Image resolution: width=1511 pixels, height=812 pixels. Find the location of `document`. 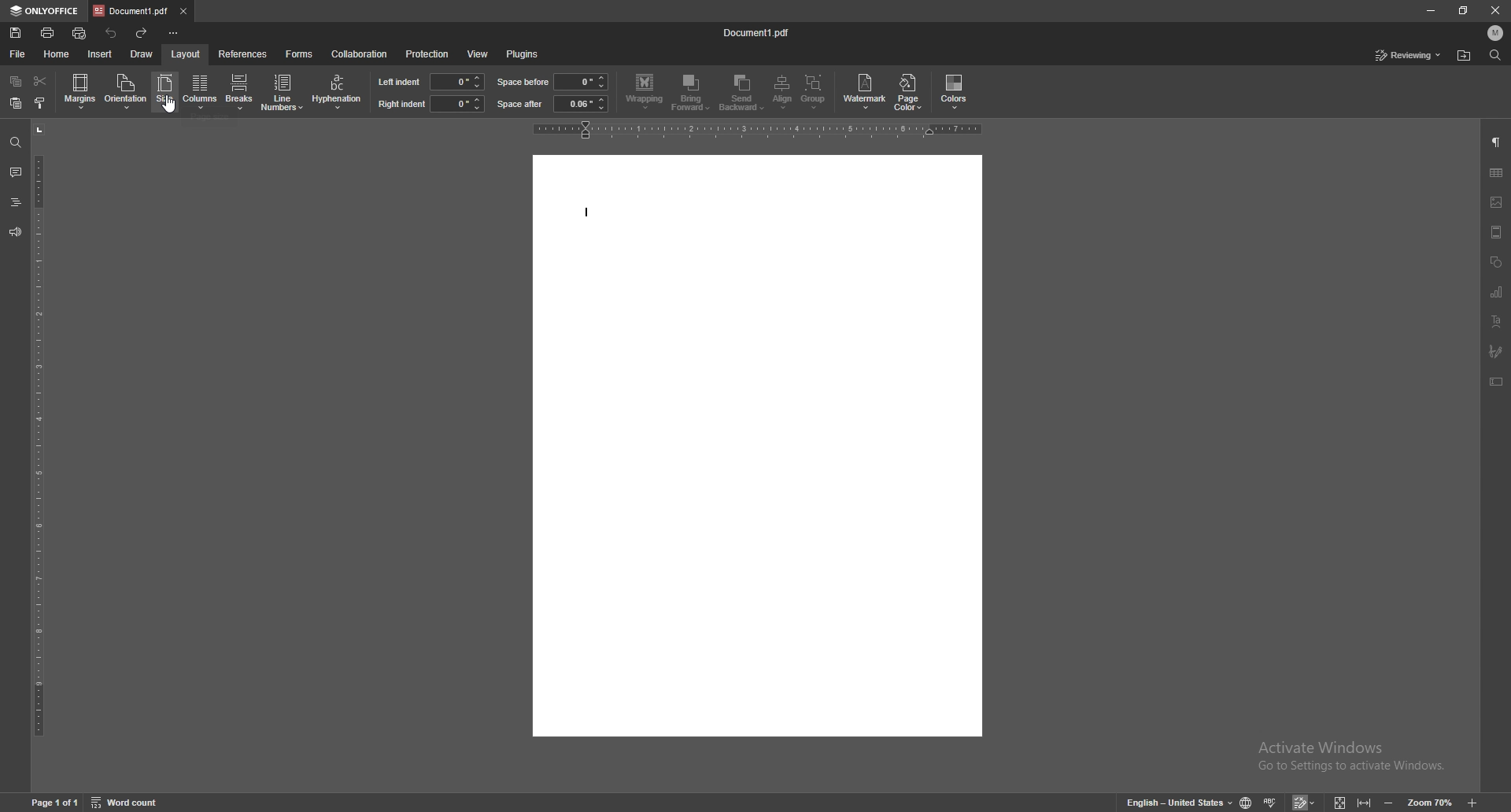

document is located at coordinates (756, 445).